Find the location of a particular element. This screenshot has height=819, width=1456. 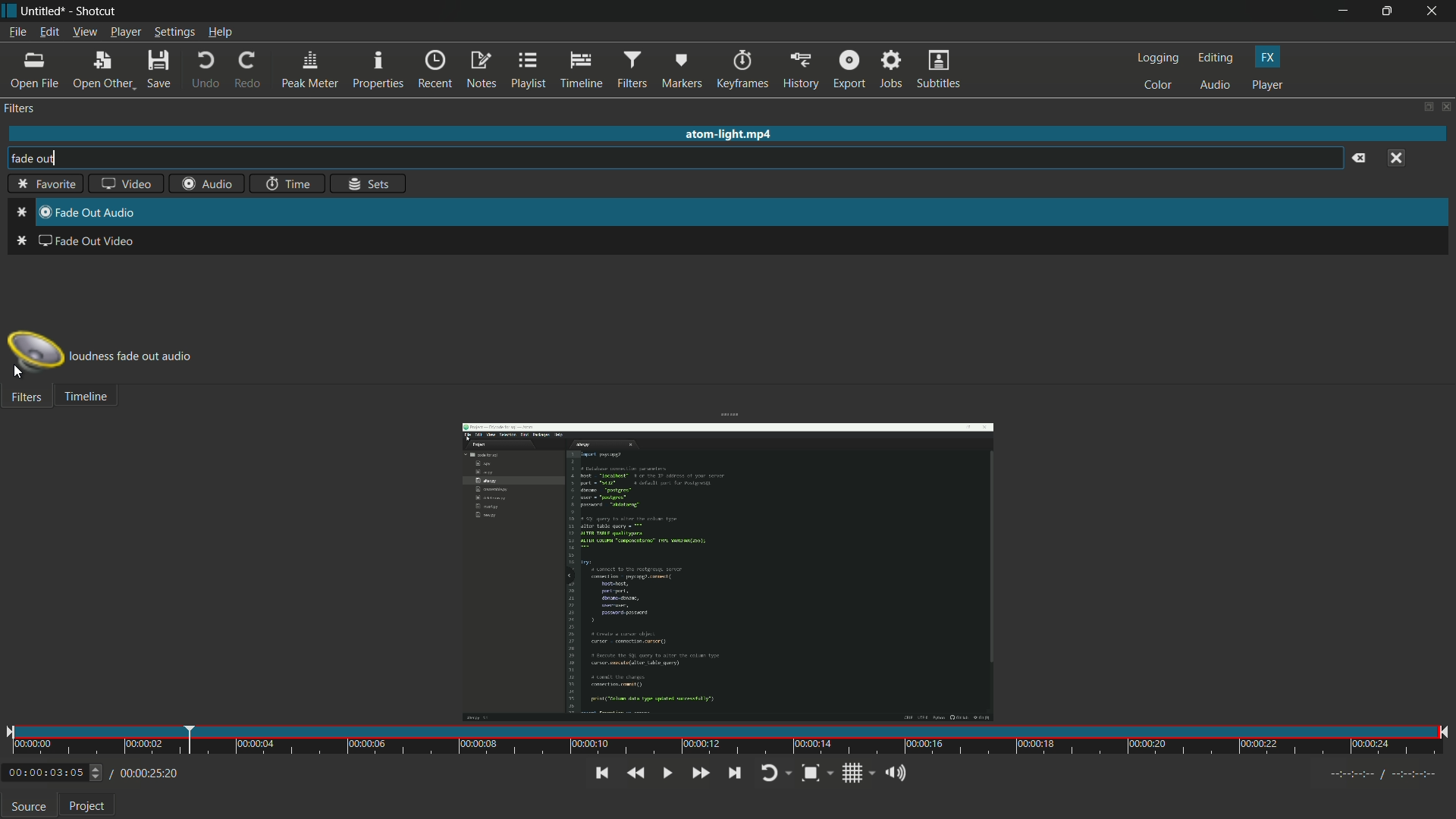

player is located at coordinates (1269, 85).